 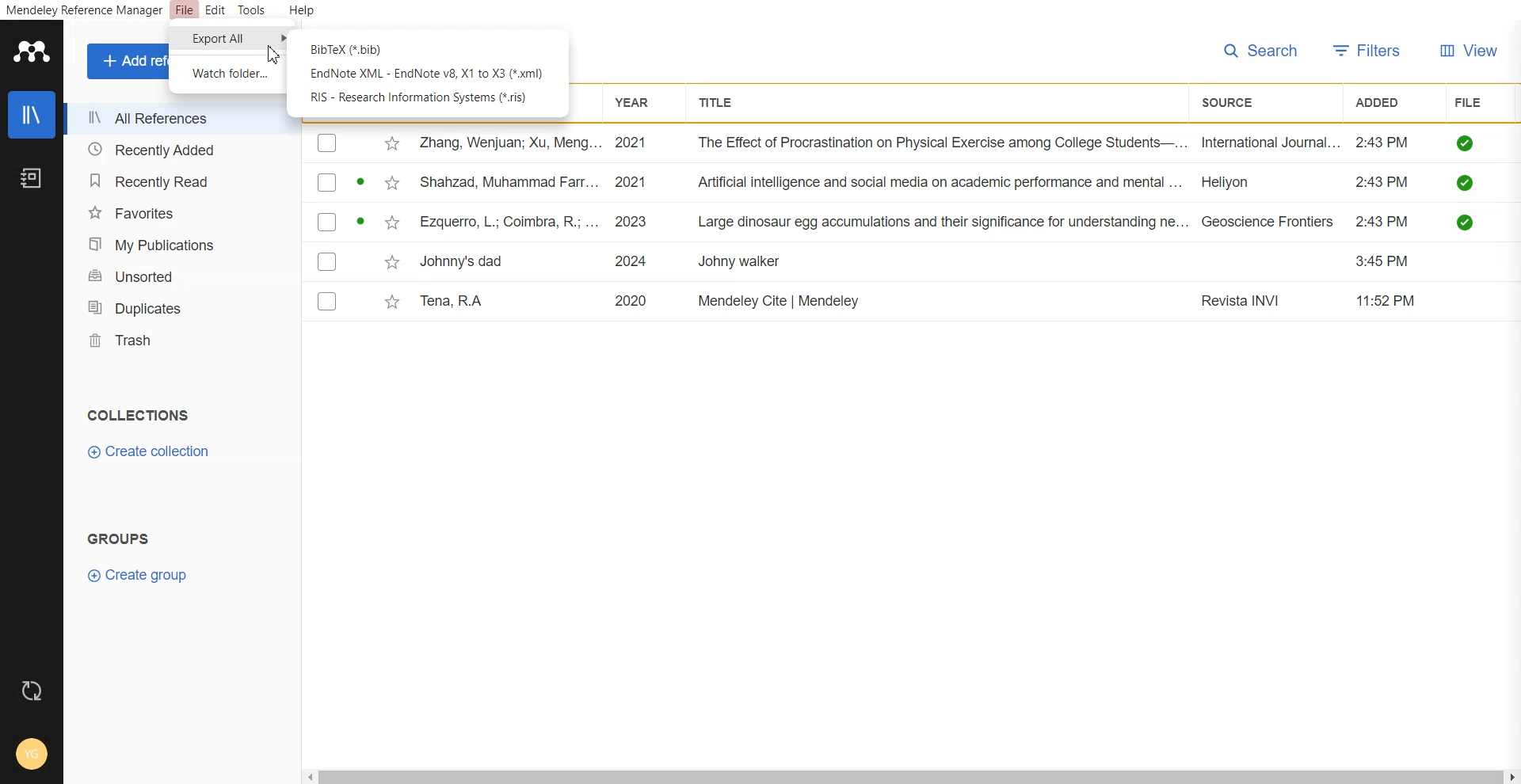 What do you see at coordinates (1235, 103) in the screenshot?
I see `Source` at bounding box center [1235, 103].